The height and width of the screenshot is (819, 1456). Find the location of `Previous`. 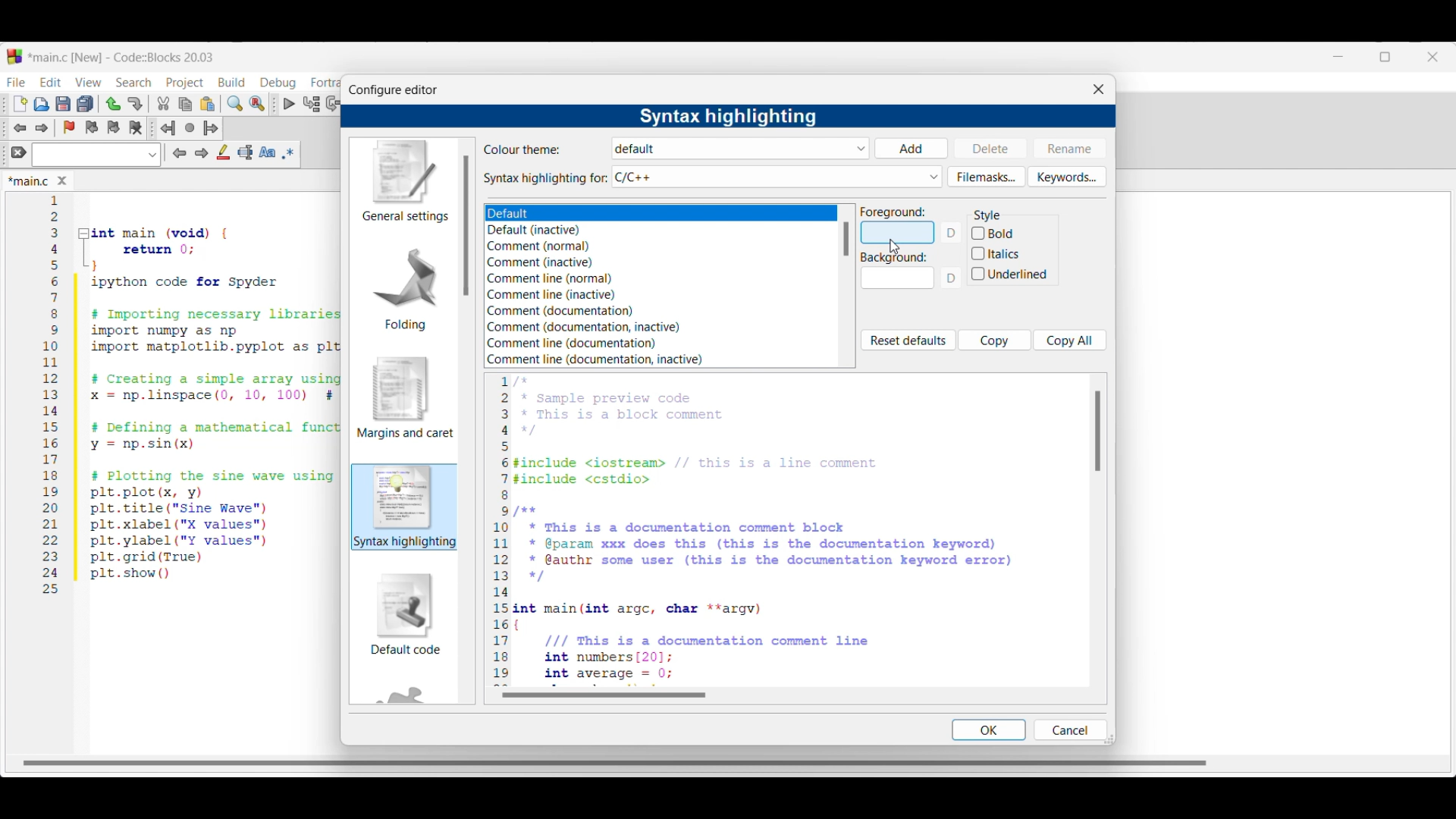

Previous is located at coordinates (180, 153).